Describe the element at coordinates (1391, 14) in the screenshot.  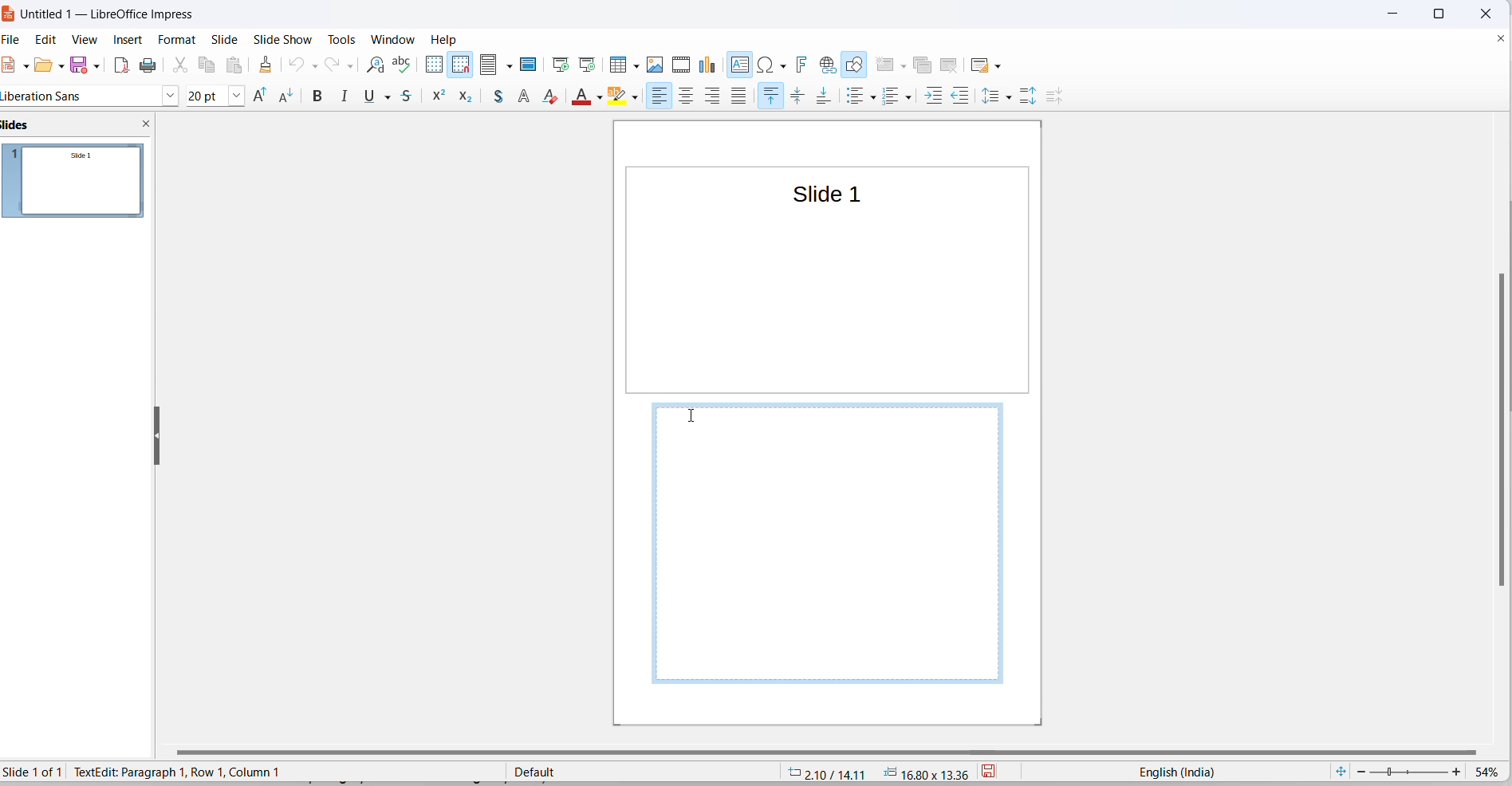
I see `close` at that location.